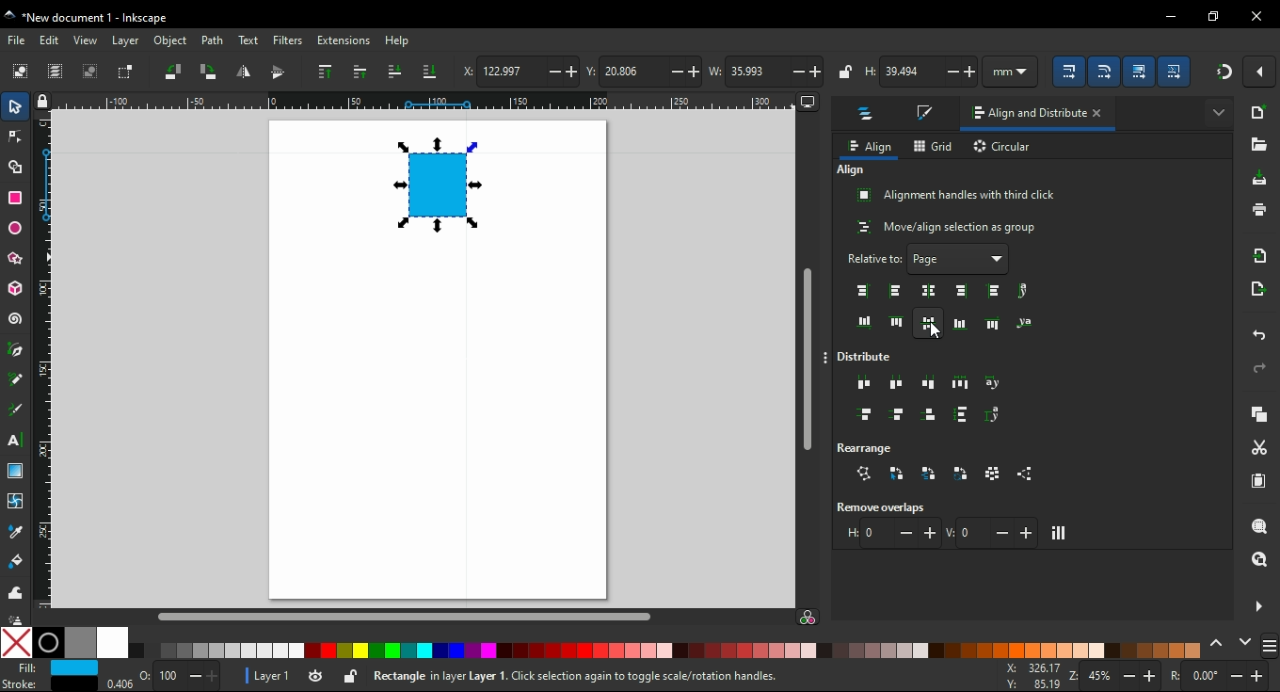 The image size is (1280, 692). I want to click on align text anchors vertically, so click(1023, 322).